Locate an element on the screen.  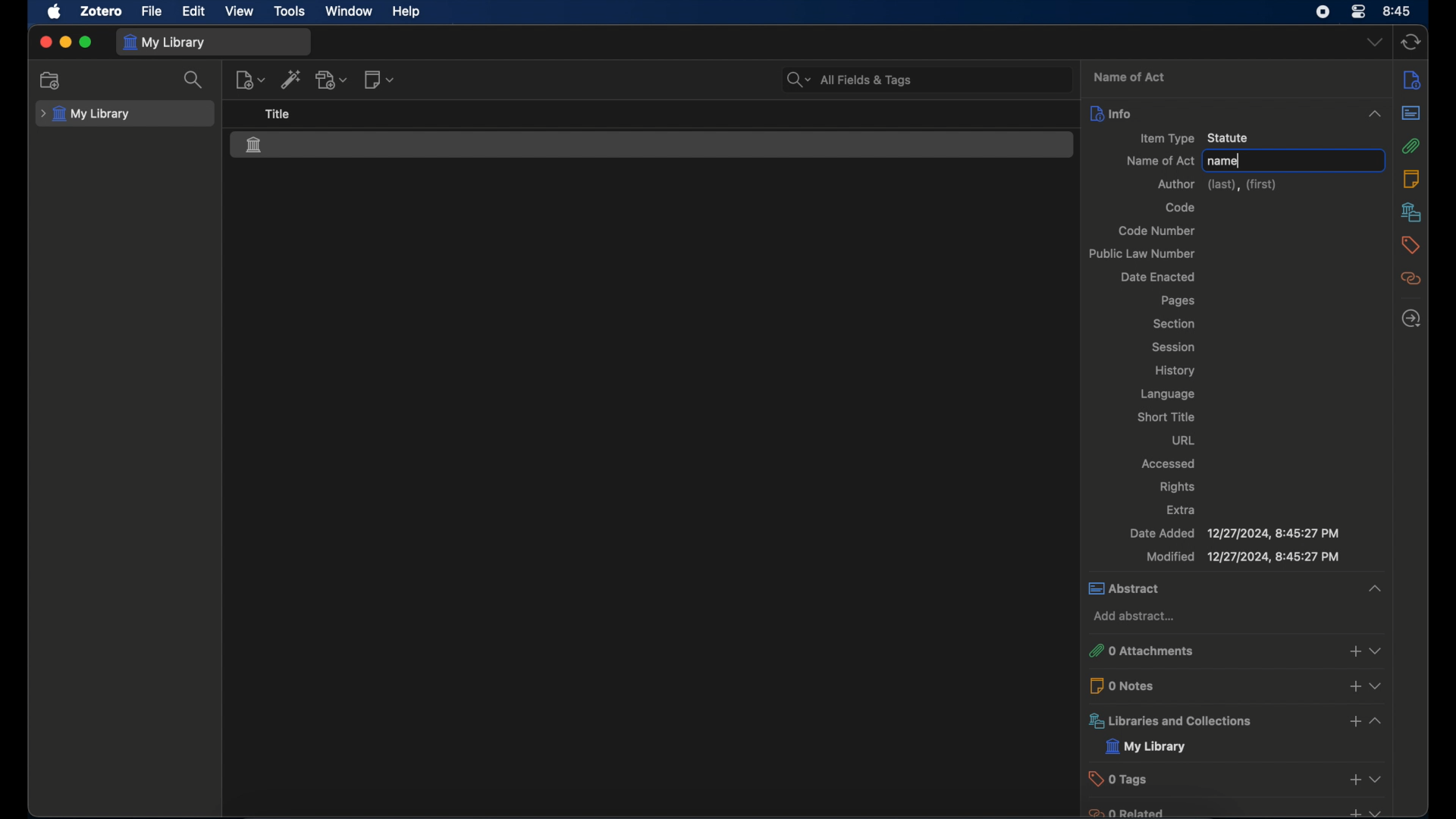
0 related is located at coordinates (1211, 811).